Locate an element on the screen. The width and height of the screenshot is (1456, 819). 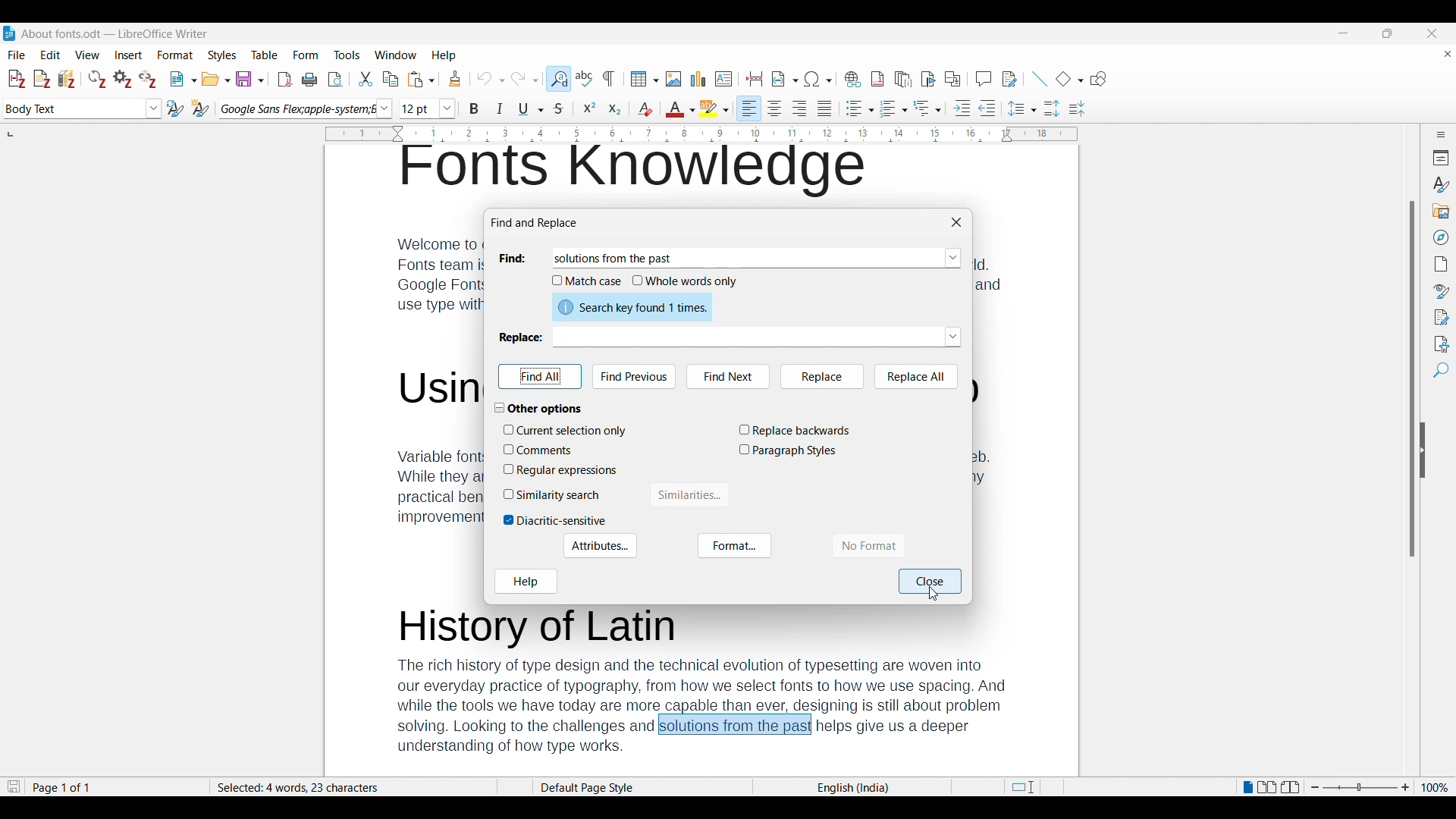
Current zoom factor is located at coordinates (1435, 788).